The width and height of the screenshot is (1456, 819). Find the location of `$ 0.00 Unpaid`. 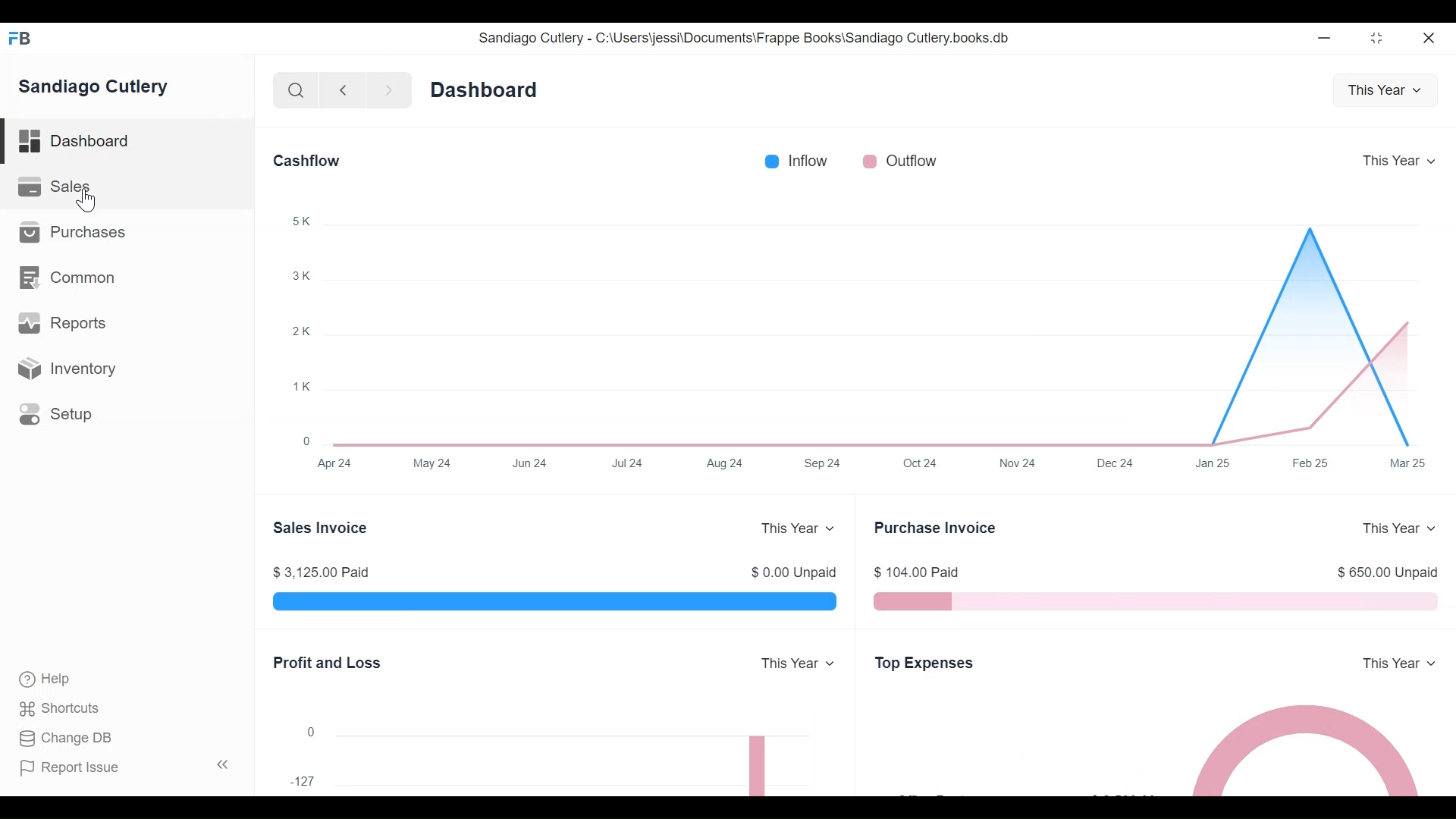

$ 0.00 Unpaid is located at coordinates (792, 571).